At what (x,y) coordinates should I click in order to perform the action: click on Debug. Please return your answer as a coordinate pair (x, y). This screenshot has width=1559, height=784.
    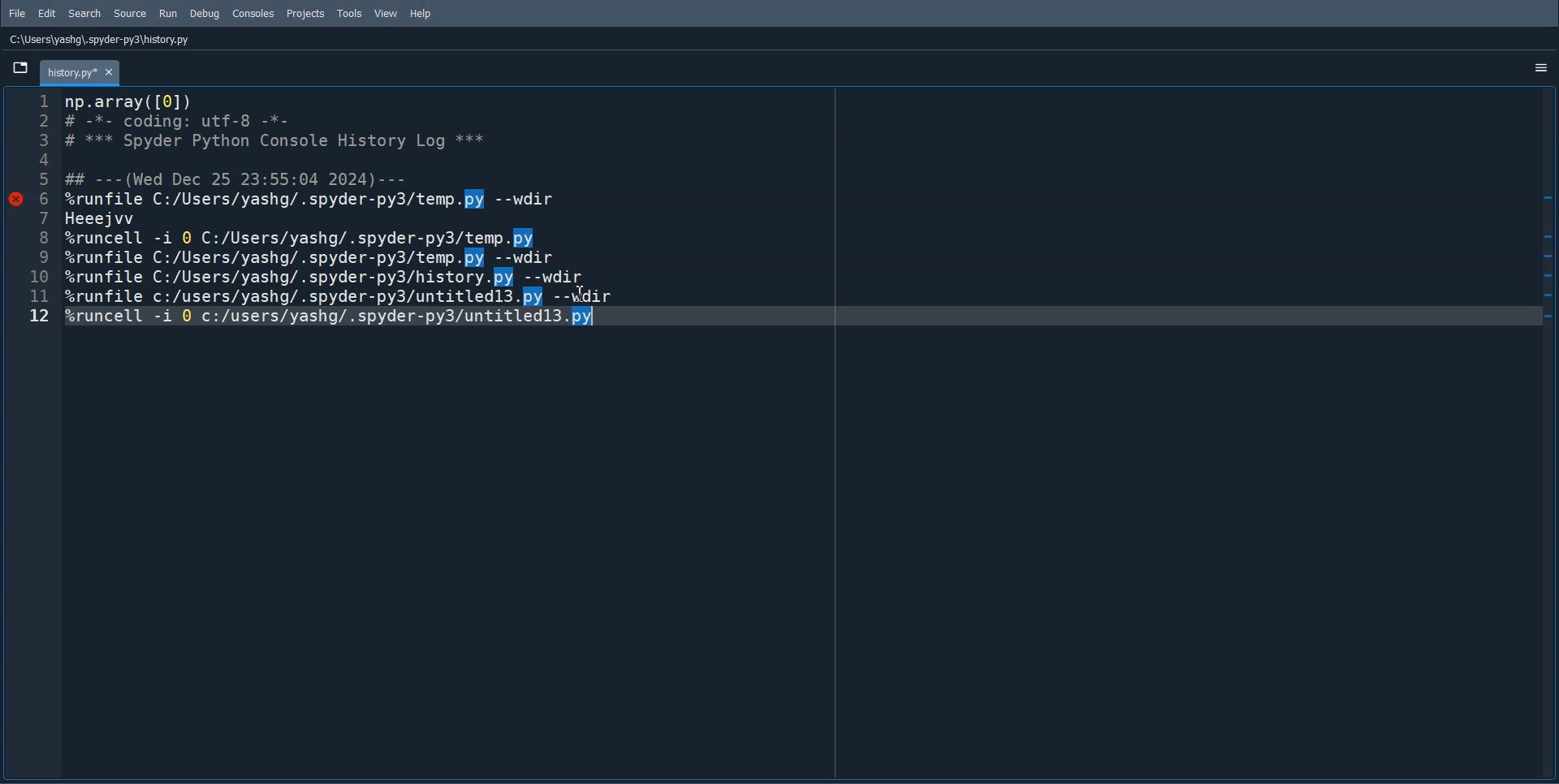
    Looking at the image, I should click on (205, 14).